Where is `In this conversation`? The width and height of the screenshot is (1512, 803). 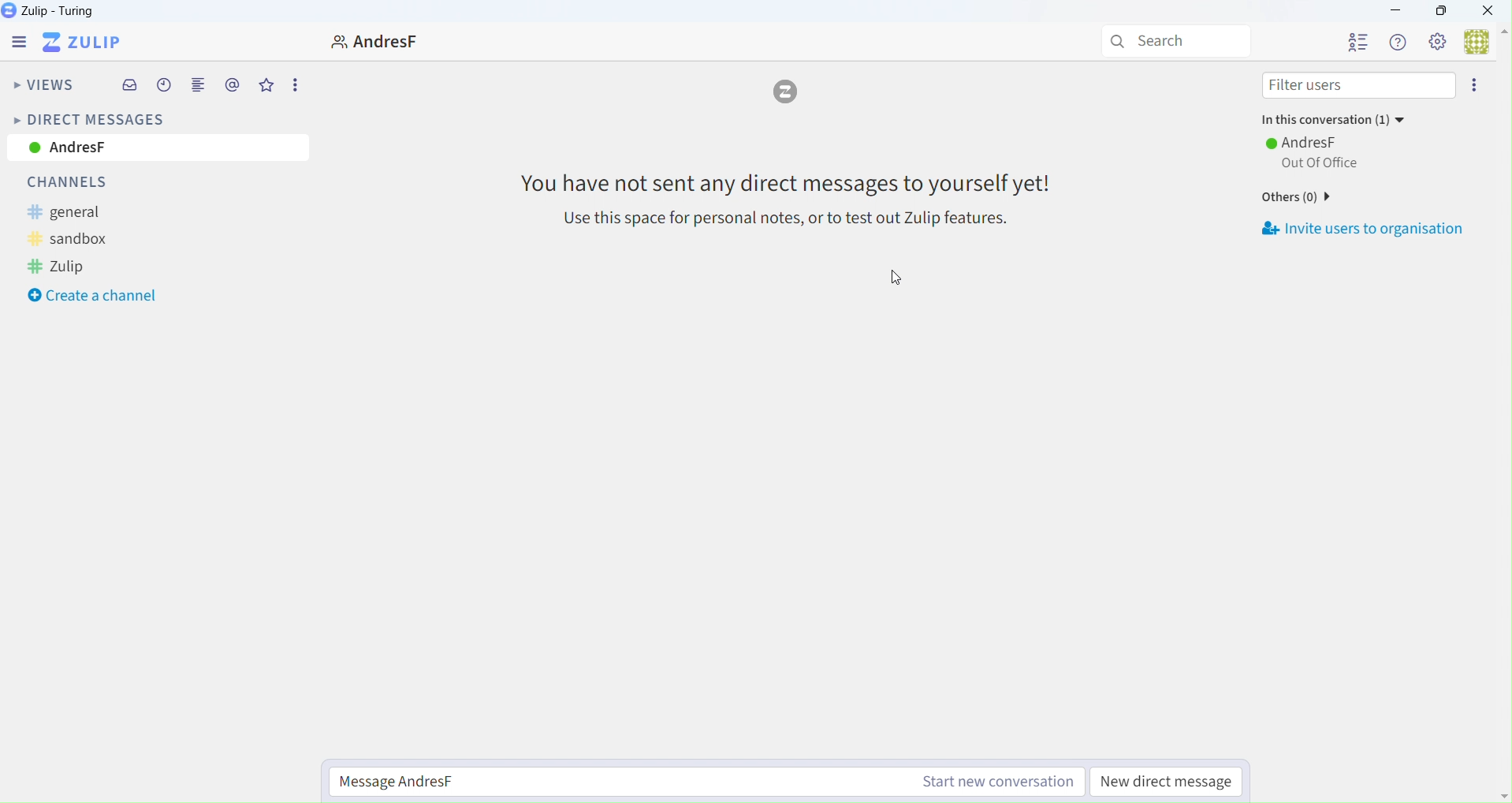
In this conversation is located at coordinates (1334, 121).